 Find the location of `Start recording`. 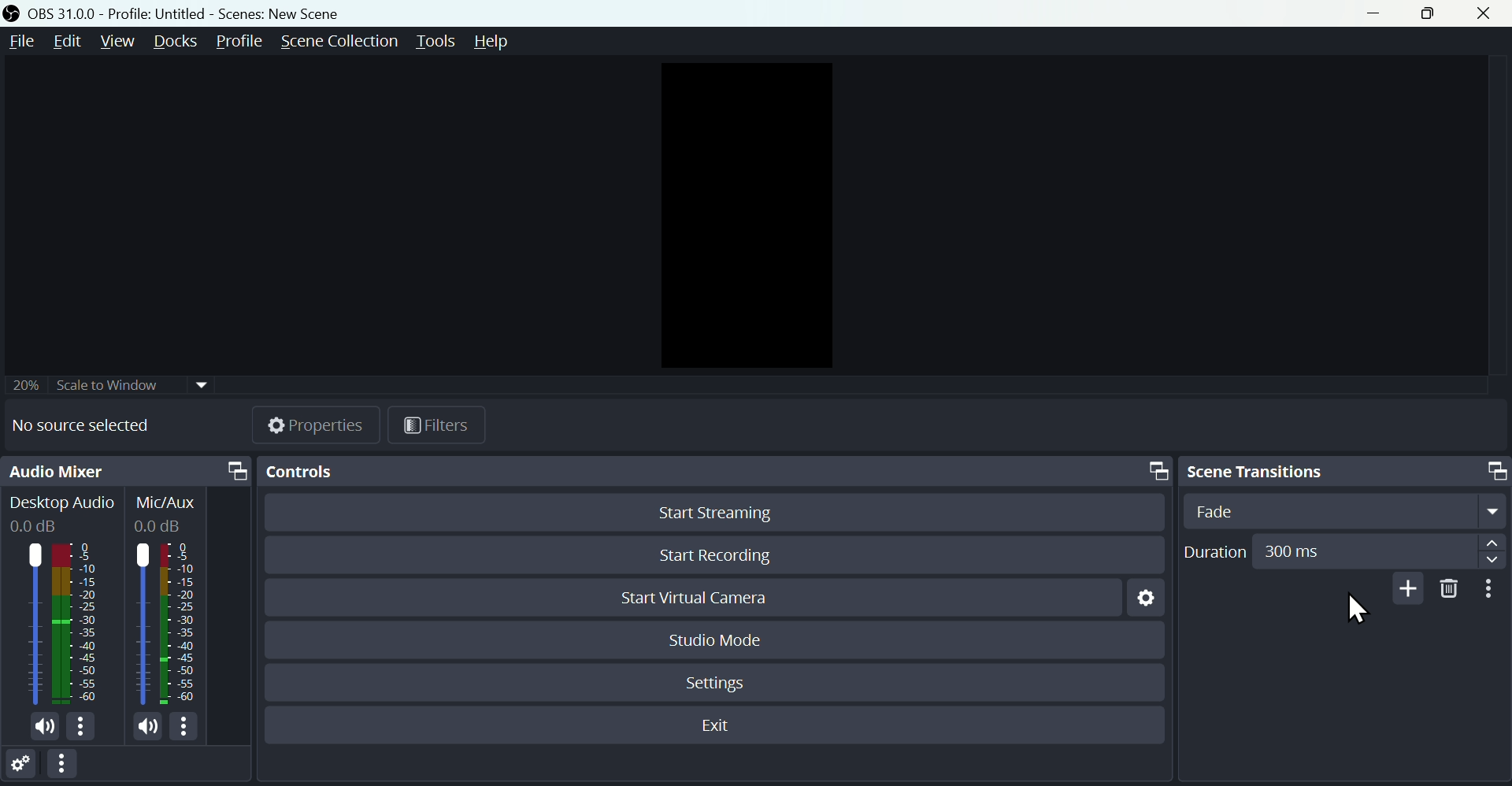

Start recording is located at coordinates (724, 552).